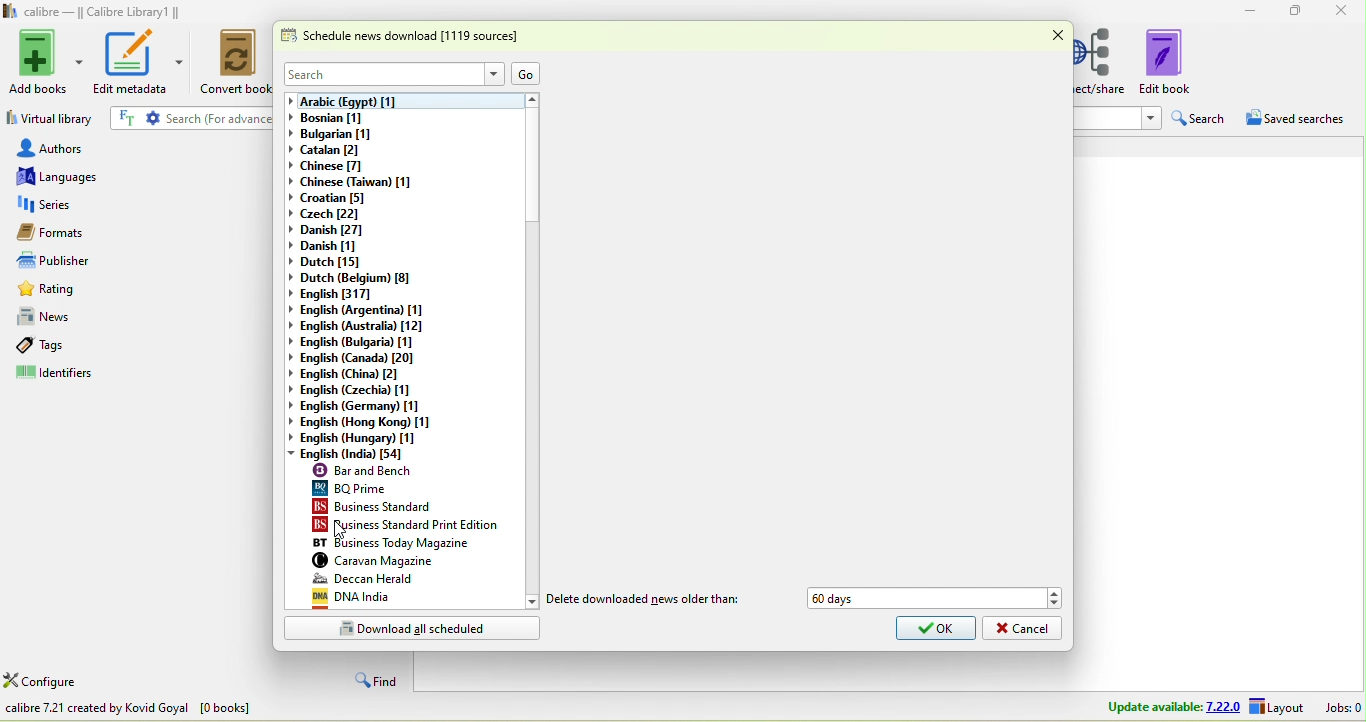 This screenshot has height=722, width=1366. I want to click on catalan[2], so click(342, 152).